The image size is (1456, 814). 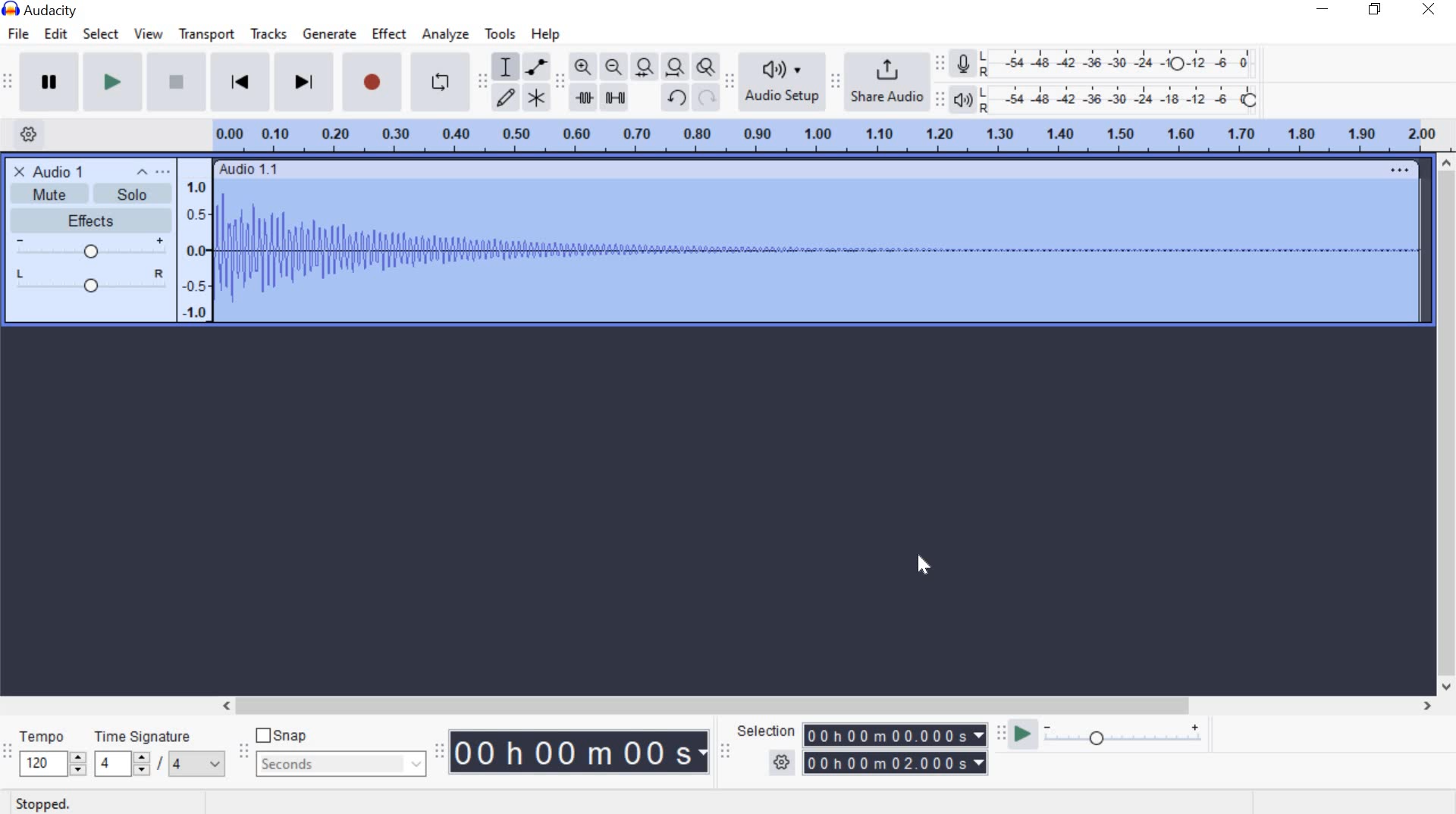 What do you see at coordinates (641, 65) in the screenshot?
I see `Fit selection to width` at bounding box center [641, 65].